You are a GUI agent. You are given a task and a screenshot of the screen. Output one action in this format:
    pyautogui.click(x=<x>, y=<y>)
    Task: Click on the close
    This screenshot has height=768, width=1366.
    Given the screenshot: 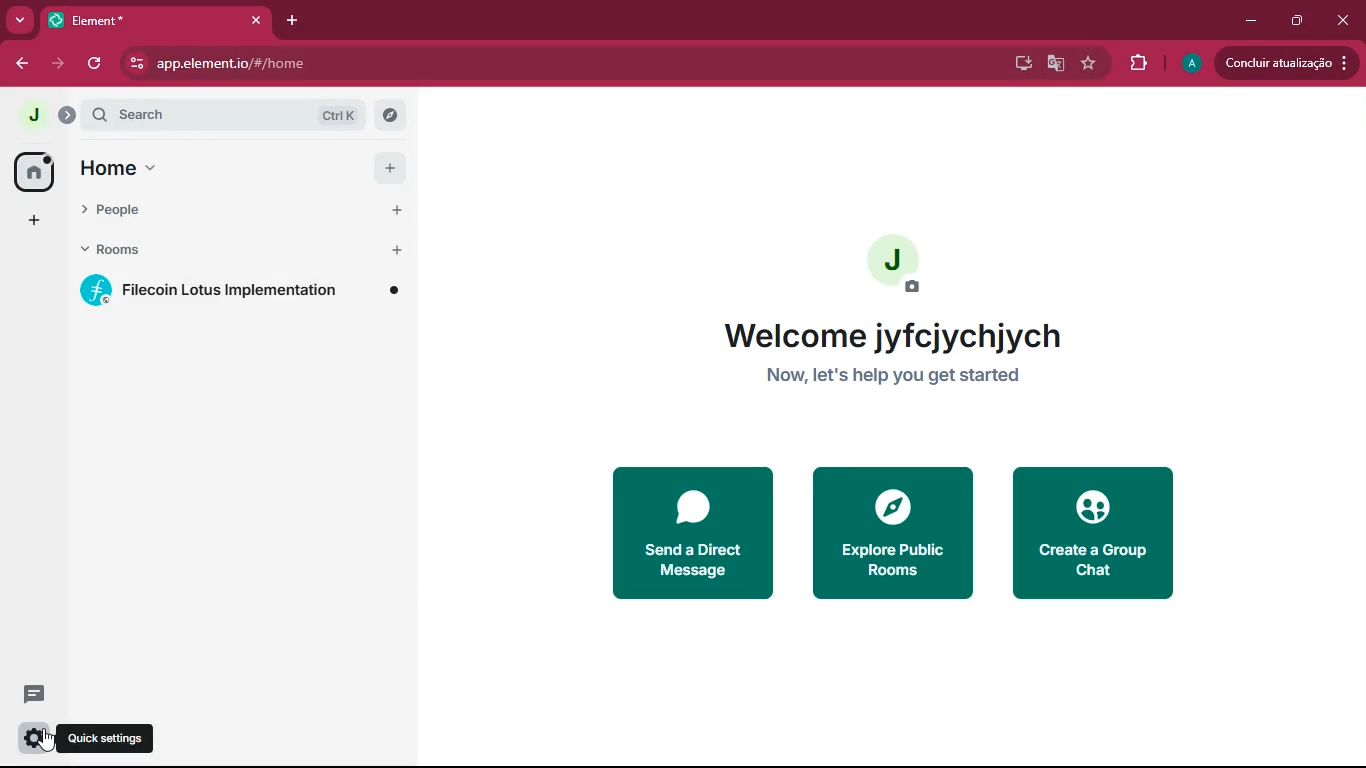 What is the action you would take?
    pyautogui.click(x=1344, y=15)
    